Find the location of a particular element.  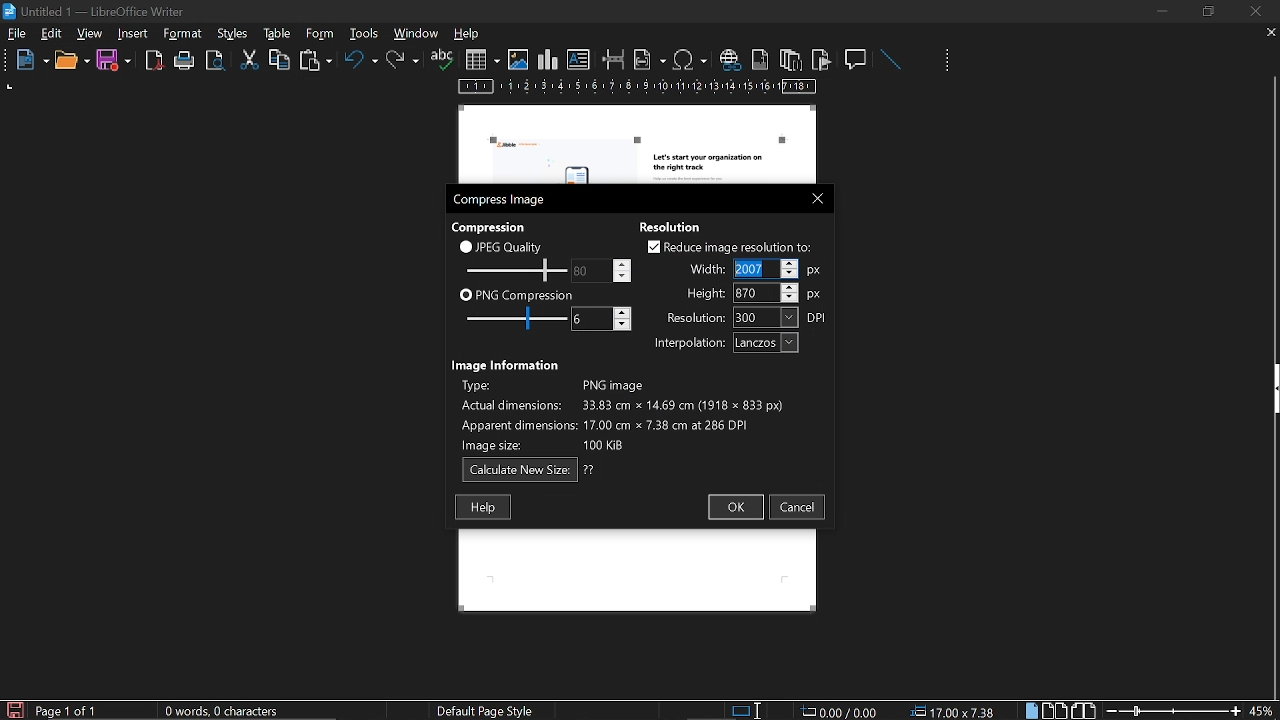

reduce image resolution is located at coordinates (730, 247).